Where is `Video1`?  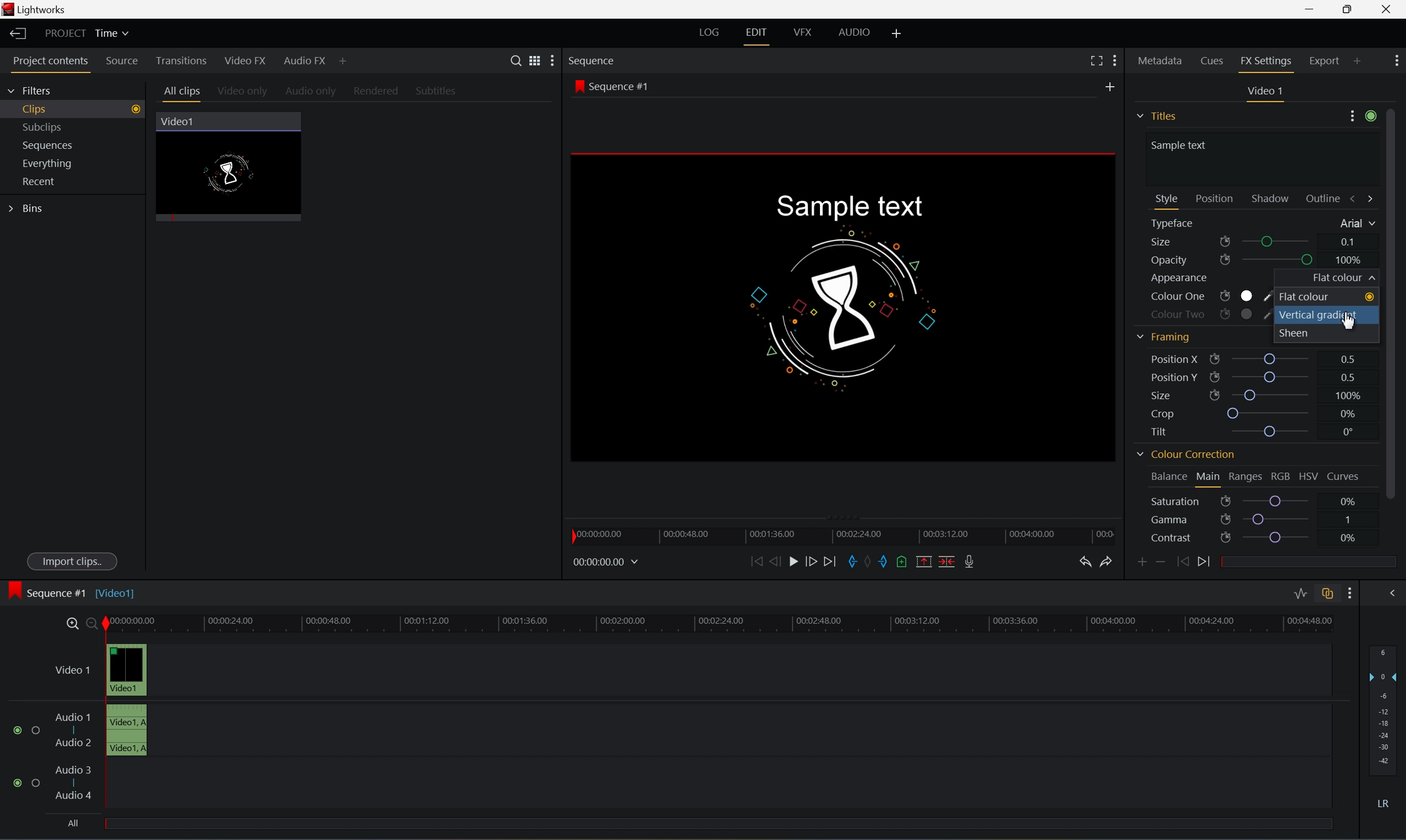 Video1 is located at coordinates (179, 122).